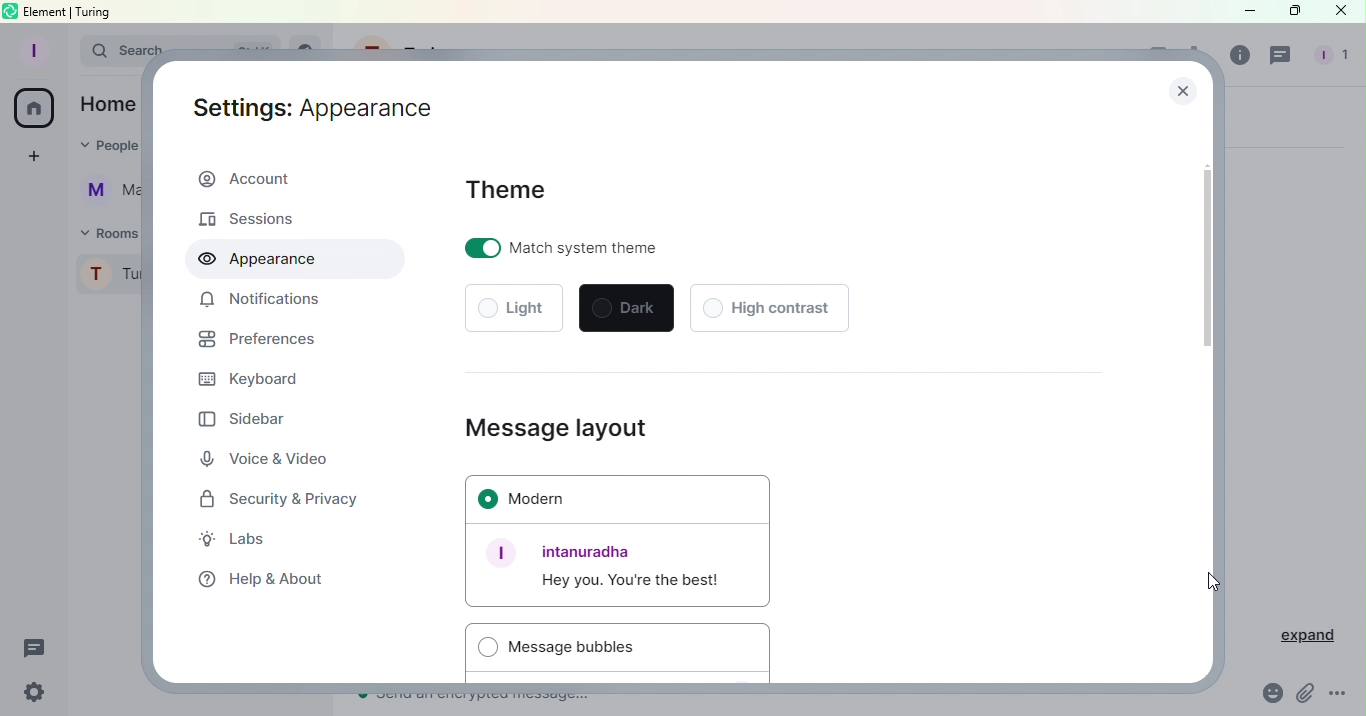  Describe the element at coordinates (619, 498) in the screenshot. I see `Modern` at that location.